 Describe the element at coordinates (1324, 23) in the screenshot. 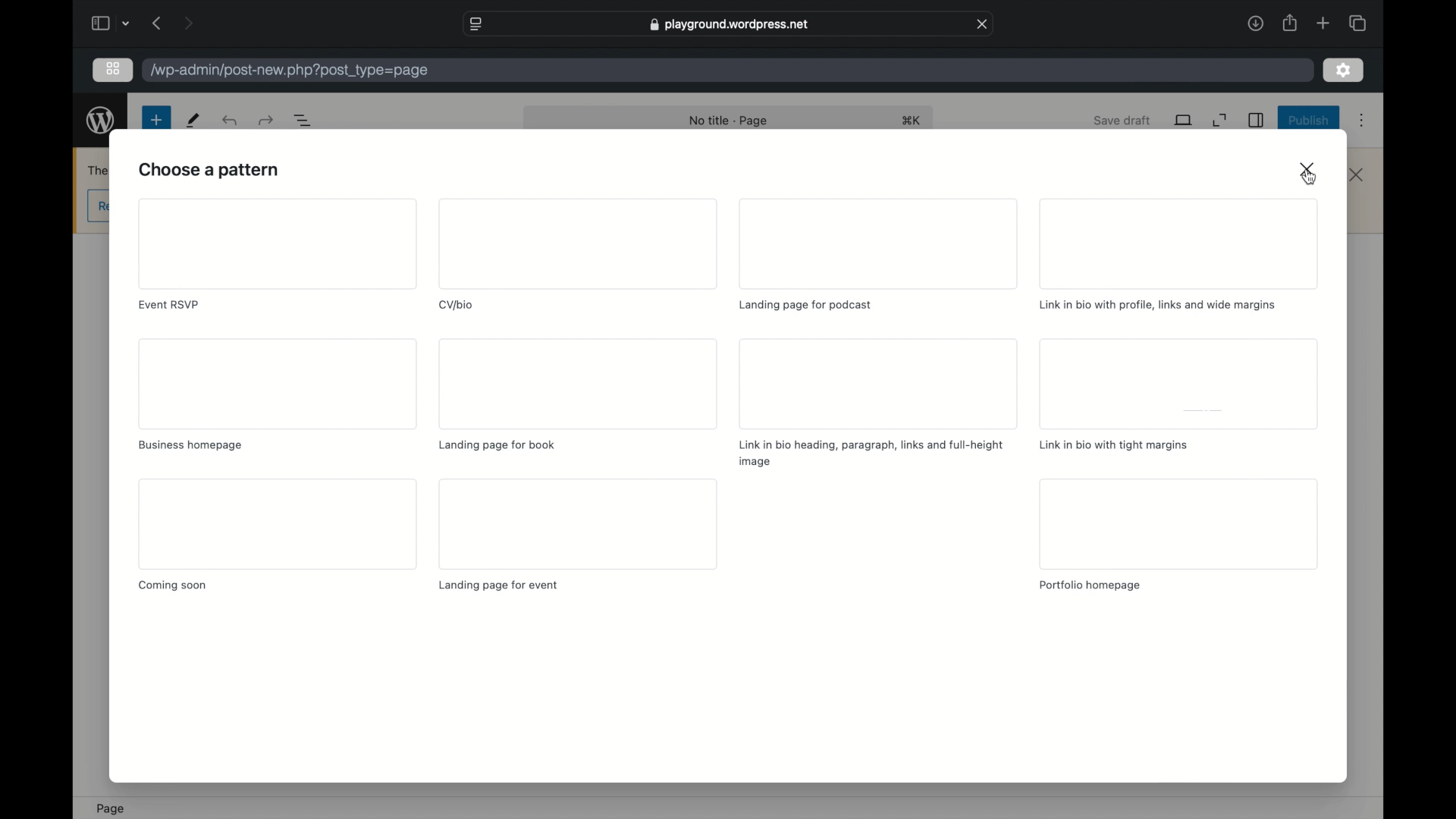

I see `new tab` at that location.